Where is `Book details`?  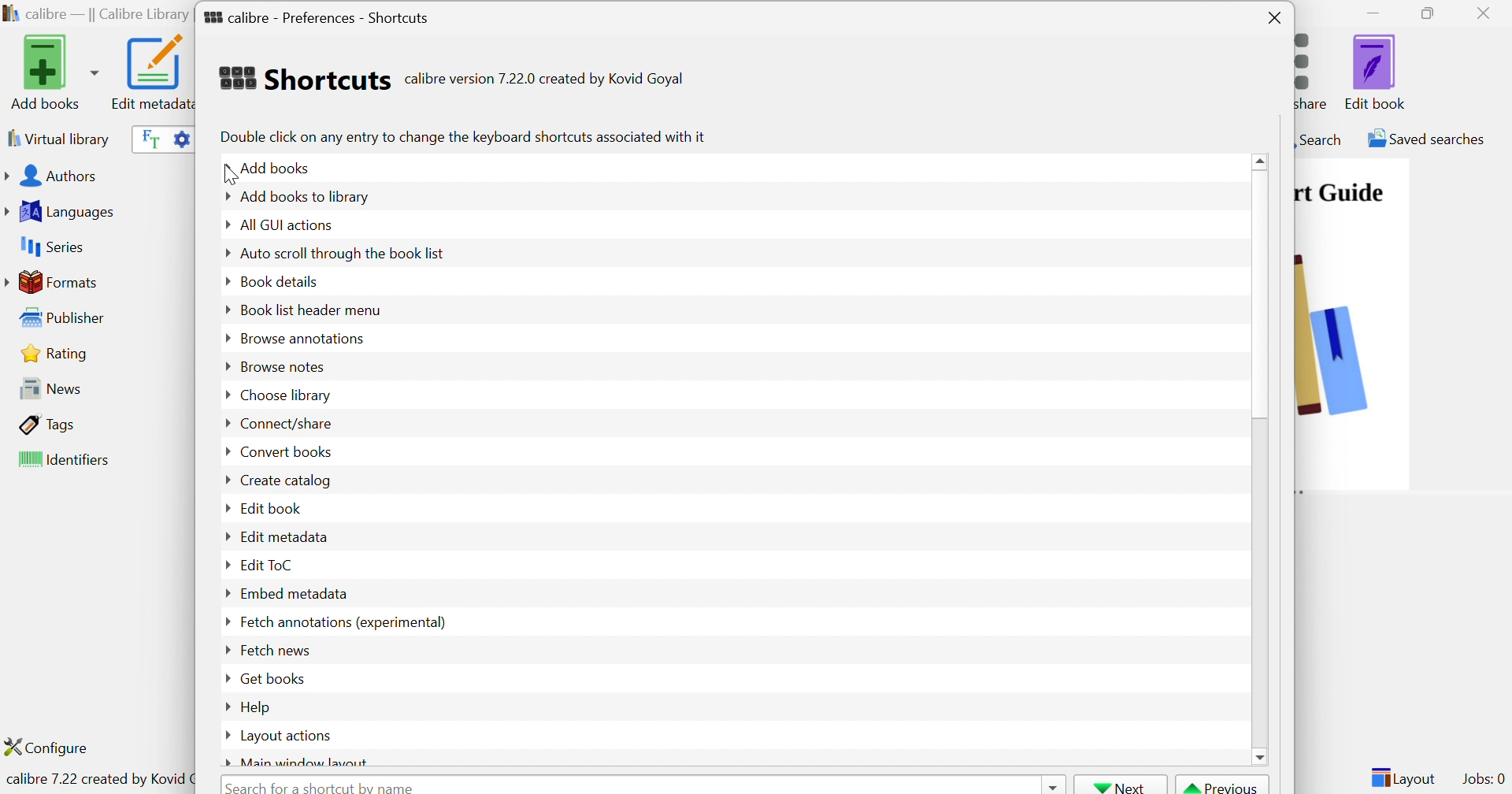 Book details is located at coordinates (280, 280).